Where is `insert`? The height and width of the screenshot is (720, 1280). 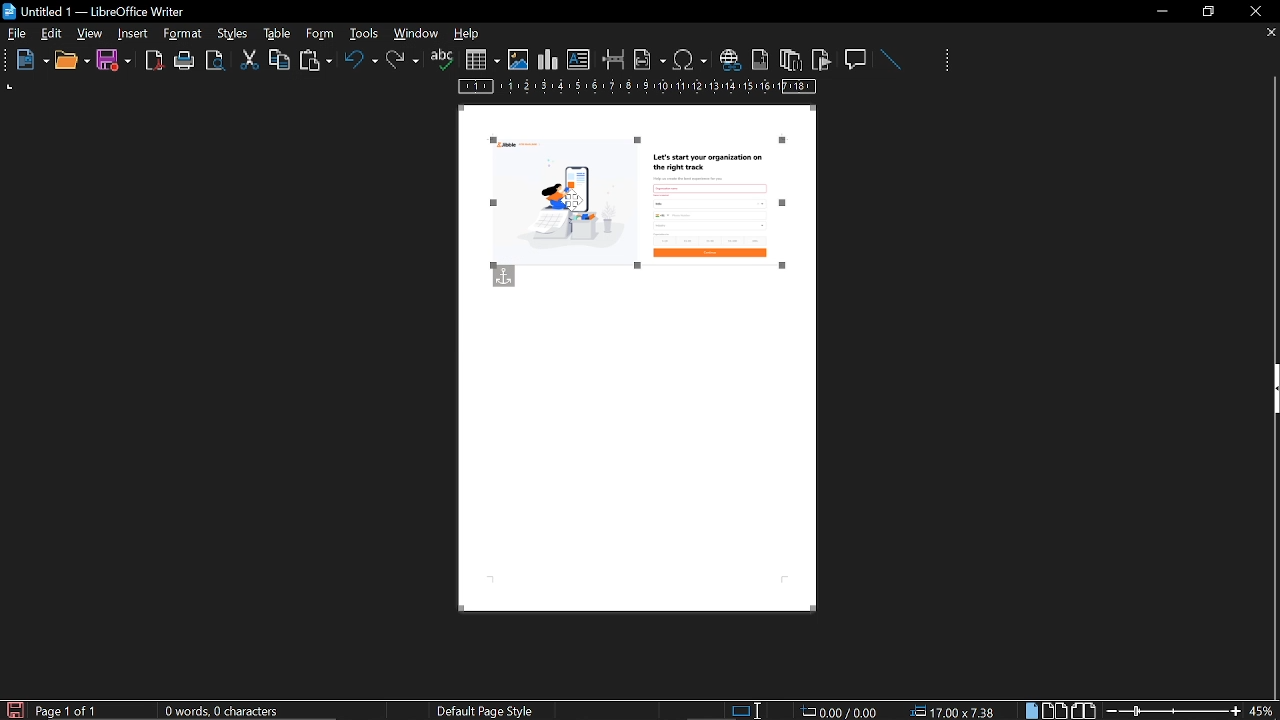
insert is located at coordinates (134, 34).